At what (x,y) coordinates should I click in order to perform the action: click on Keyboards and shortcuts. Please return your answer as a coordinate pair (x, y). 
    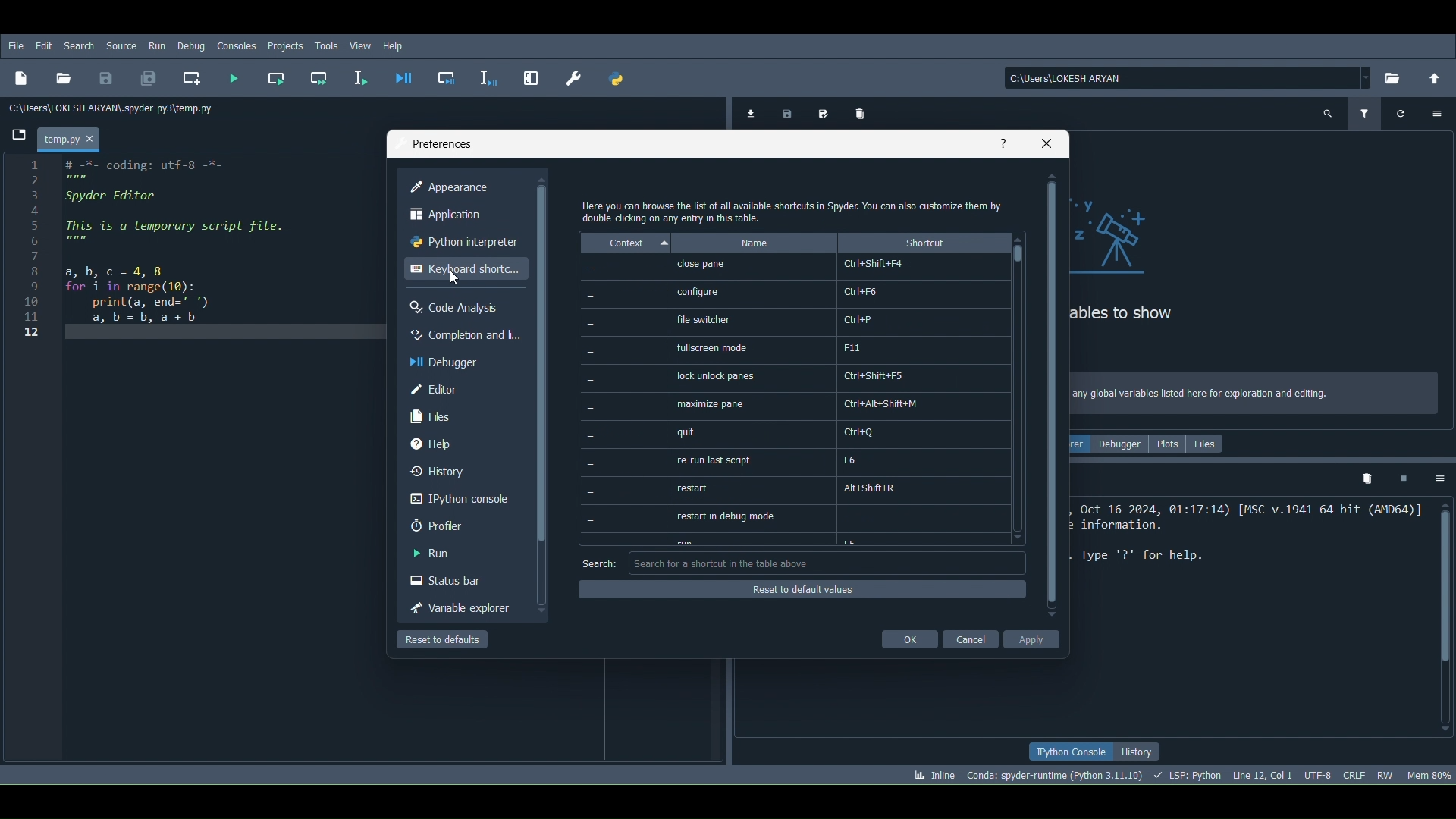
    Looking at the image, I should click on (465, 270).